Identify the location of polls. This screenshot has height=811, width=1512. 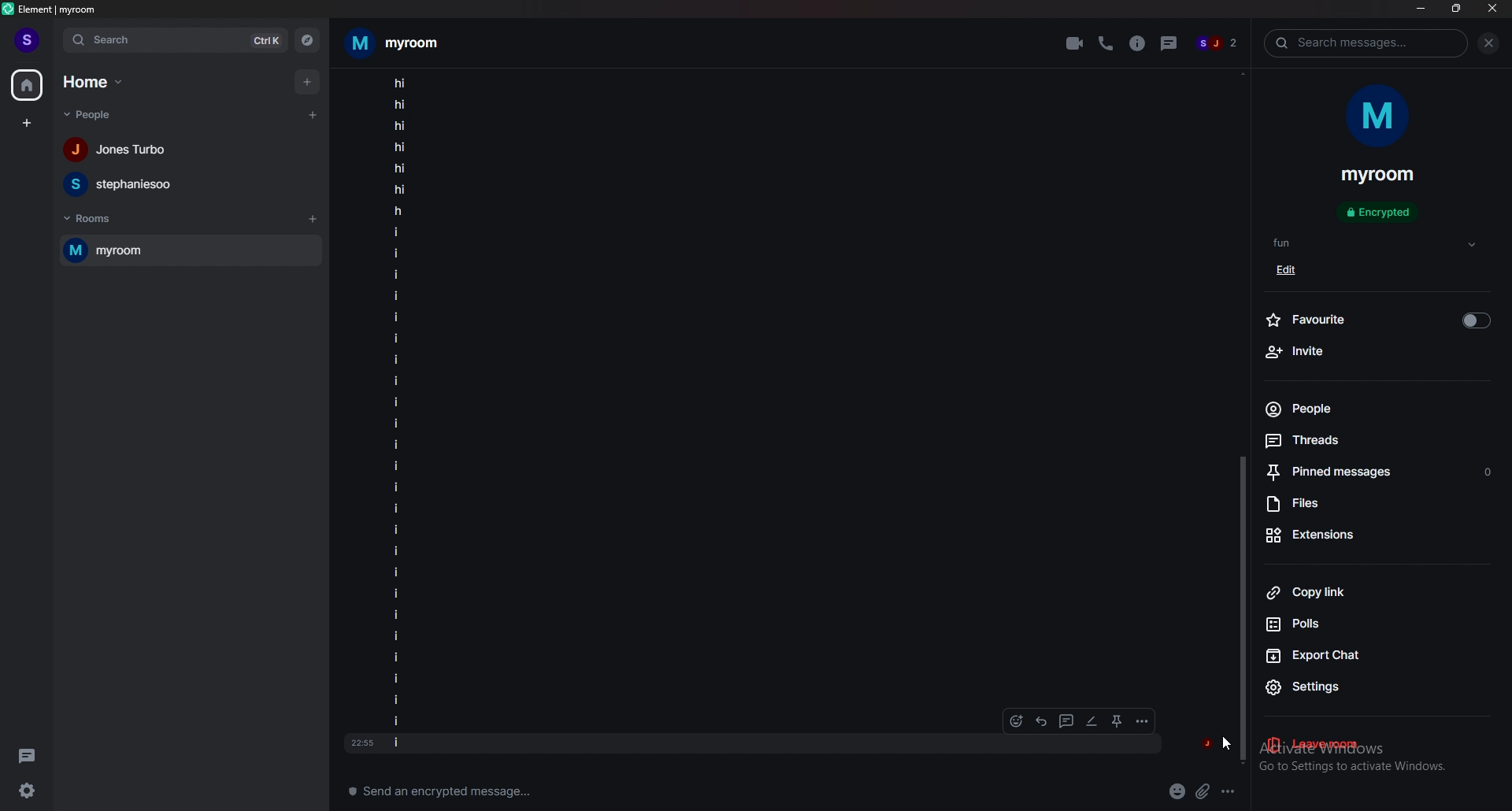
(1352, 622).